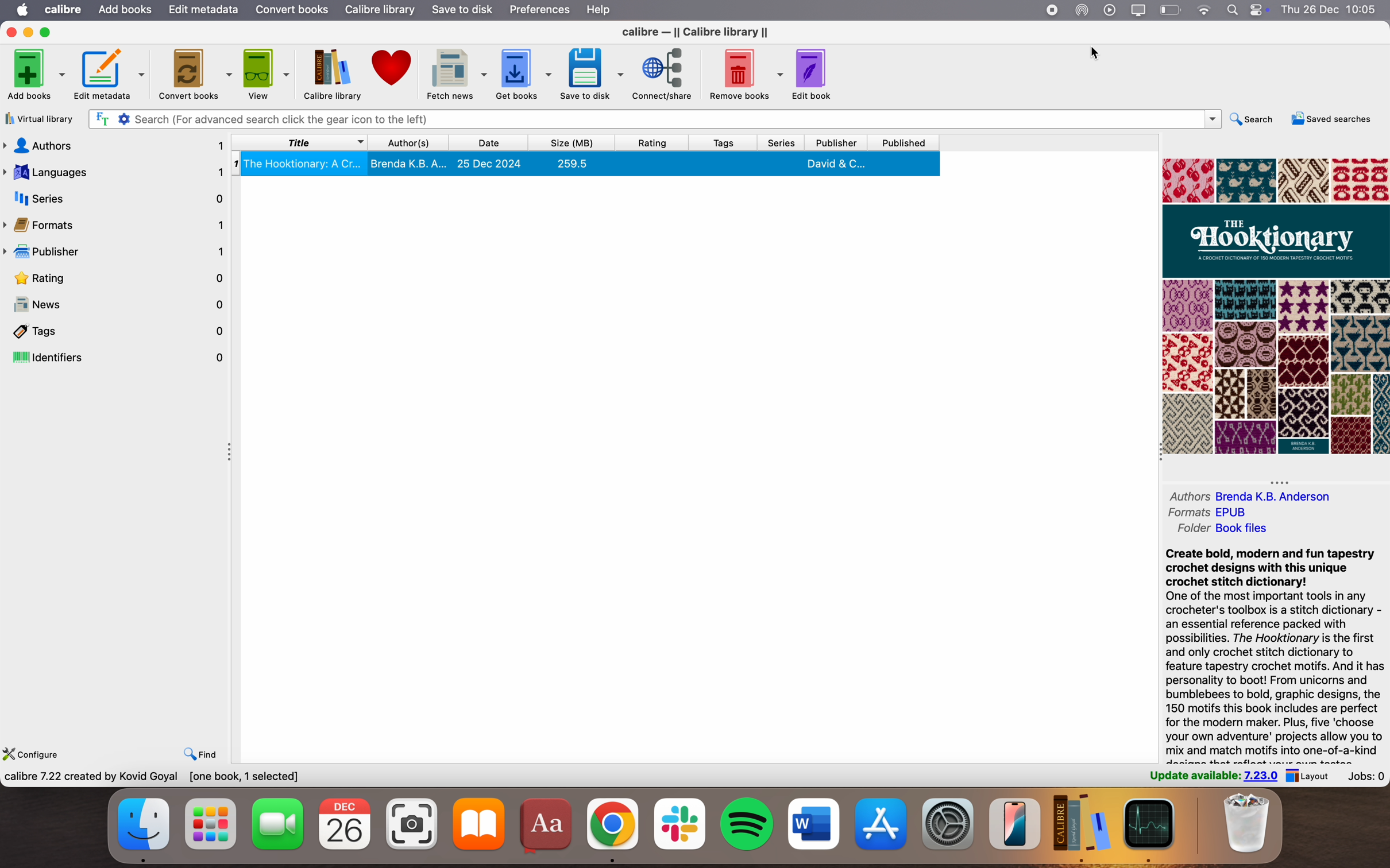 The width and height of the screenshot is (1390, 868). I want to click on save to disk, so click(592, 72).